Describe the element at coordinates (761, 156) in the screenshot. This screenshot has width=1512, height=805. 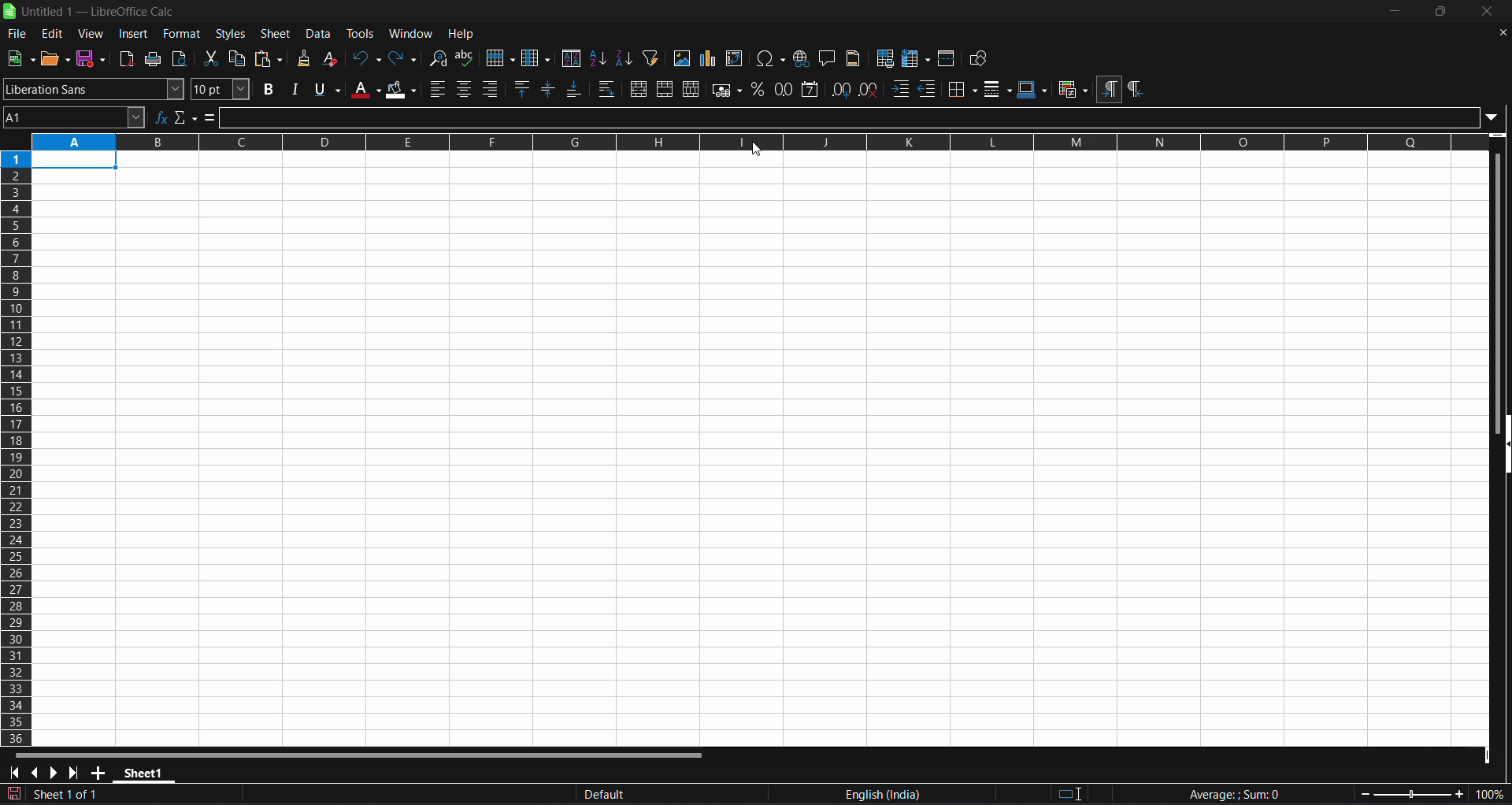
I see `cursor` at that location.